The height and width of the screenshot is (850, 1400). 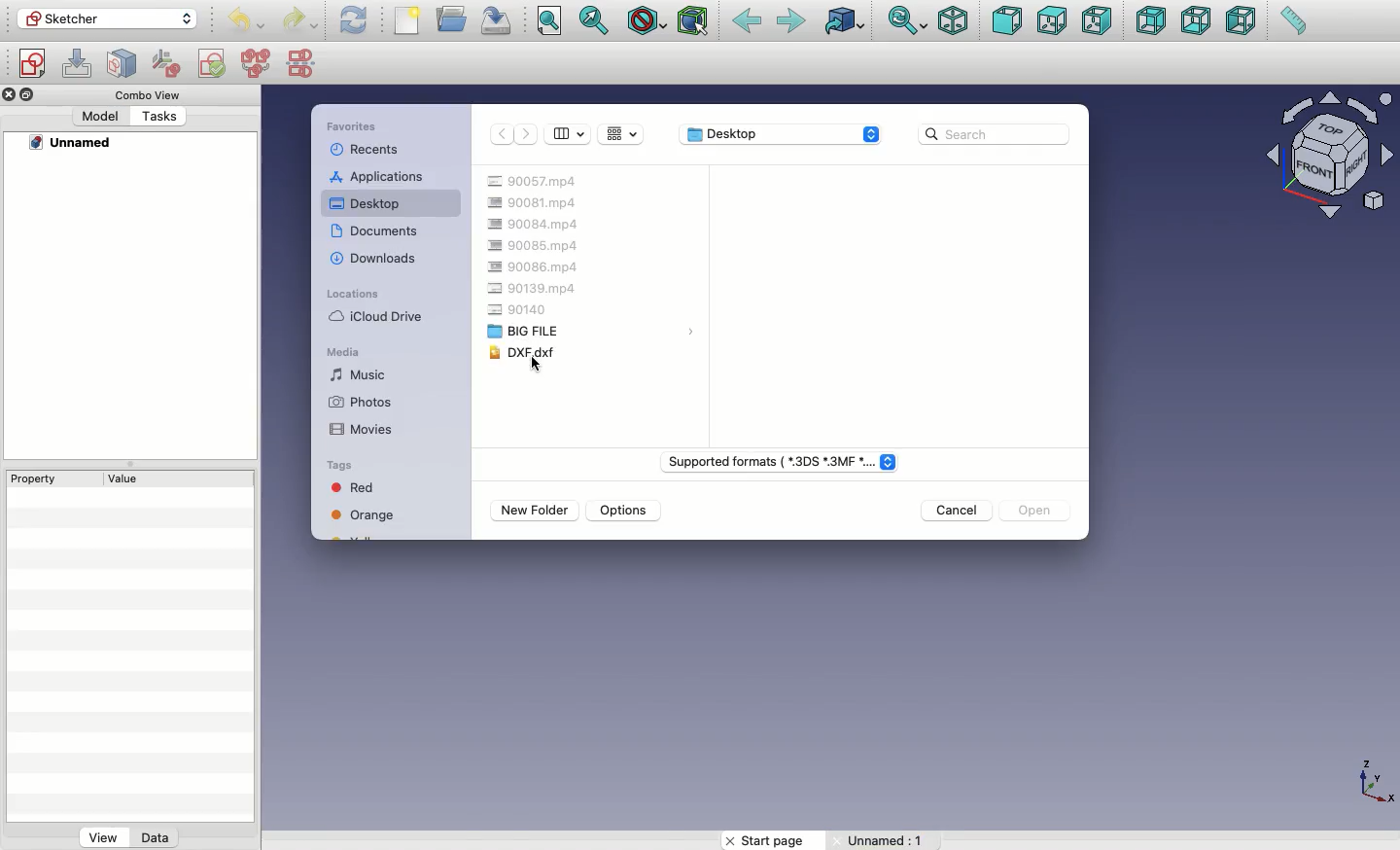 I want to click on Sync view, so click(x=909, y=20).